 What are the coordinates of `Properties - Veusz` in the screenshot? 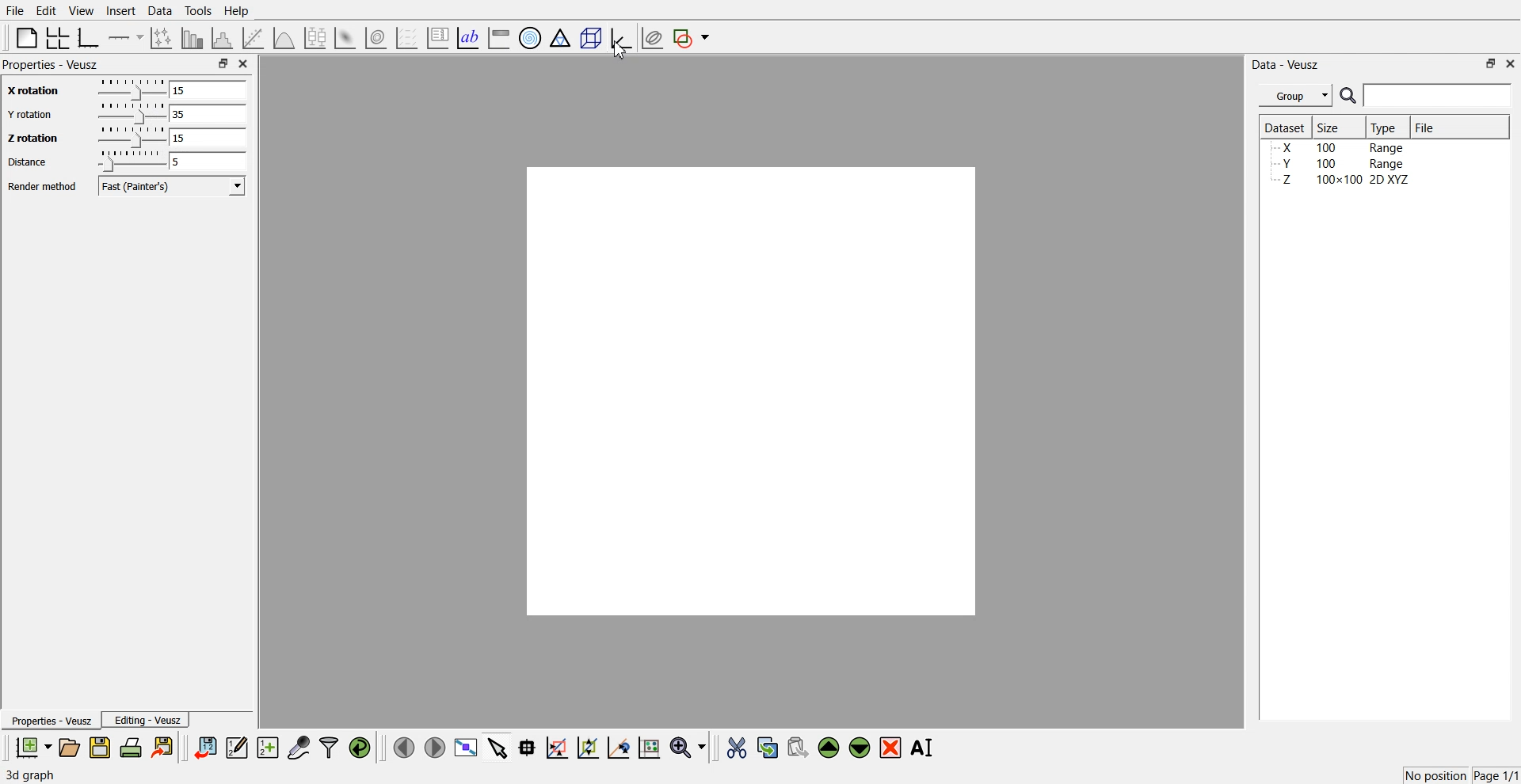 It's located at (50, 720).